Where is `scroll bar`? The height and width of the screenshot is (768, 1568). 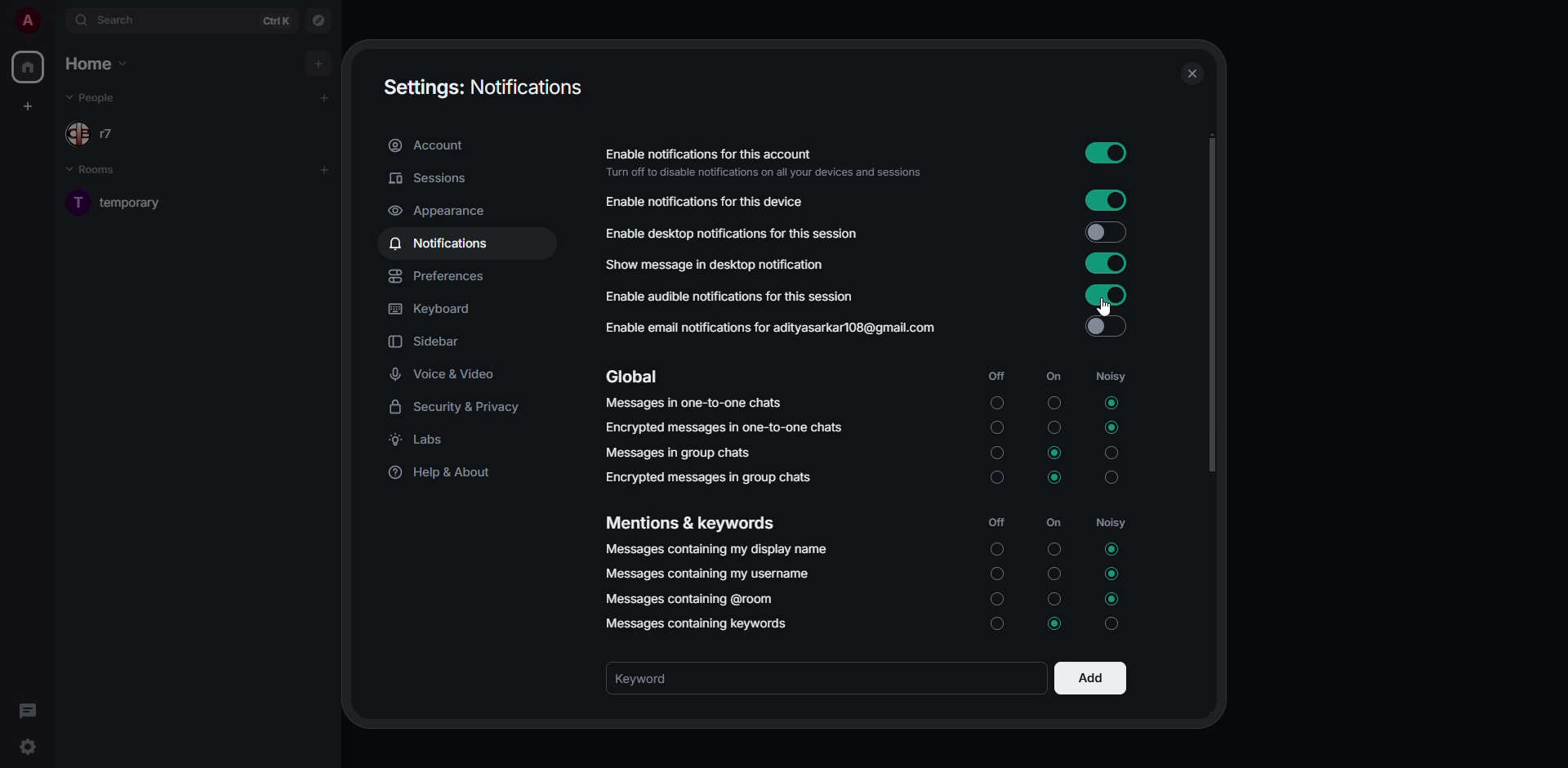 scroll bar is located at coordinates (1212, 303).